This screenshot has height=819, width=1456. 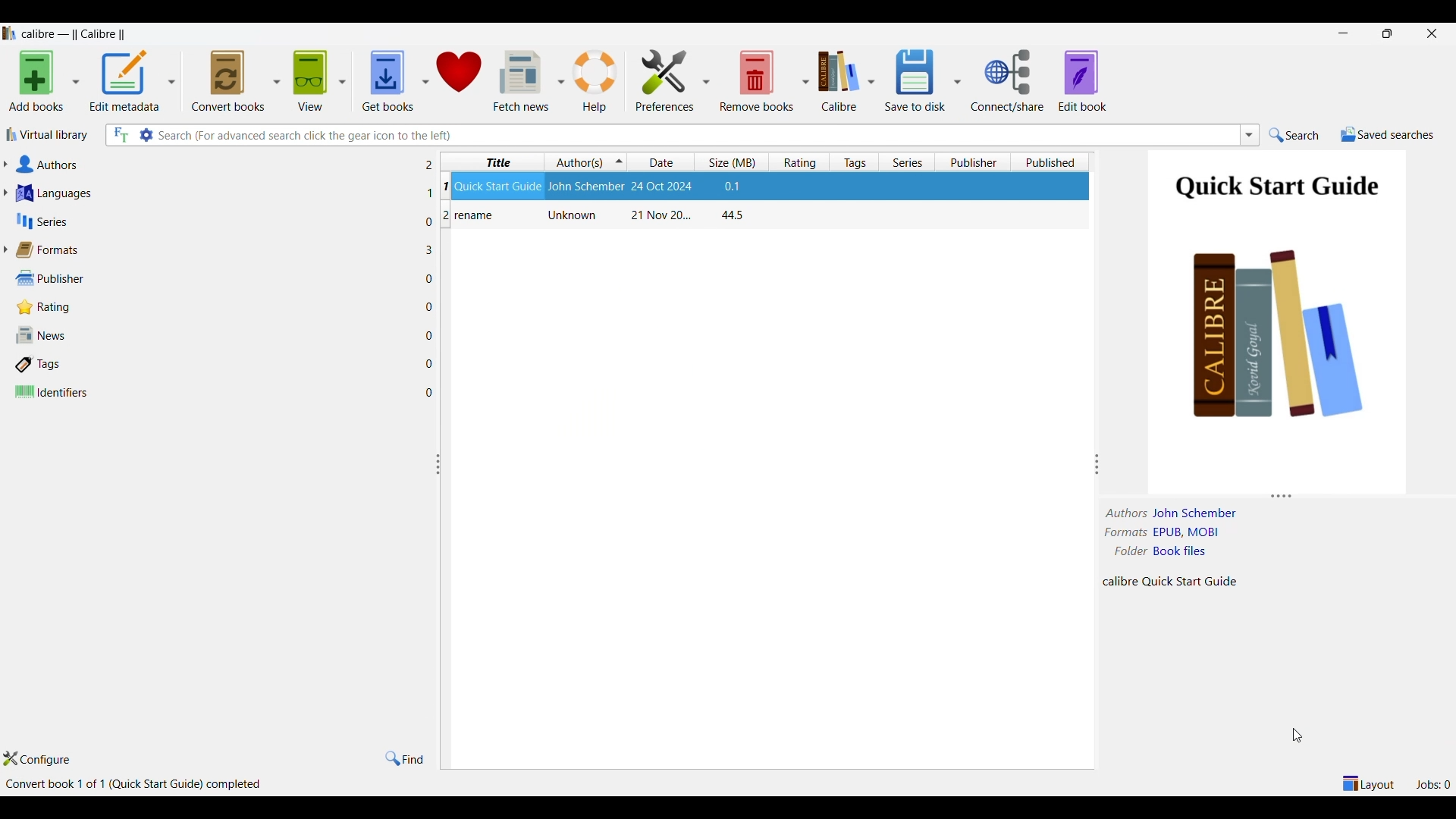 What do you see at coordinates (1176, 580) in the screenshot?
I see `Details about file content` at bounding box center [1176, 580].